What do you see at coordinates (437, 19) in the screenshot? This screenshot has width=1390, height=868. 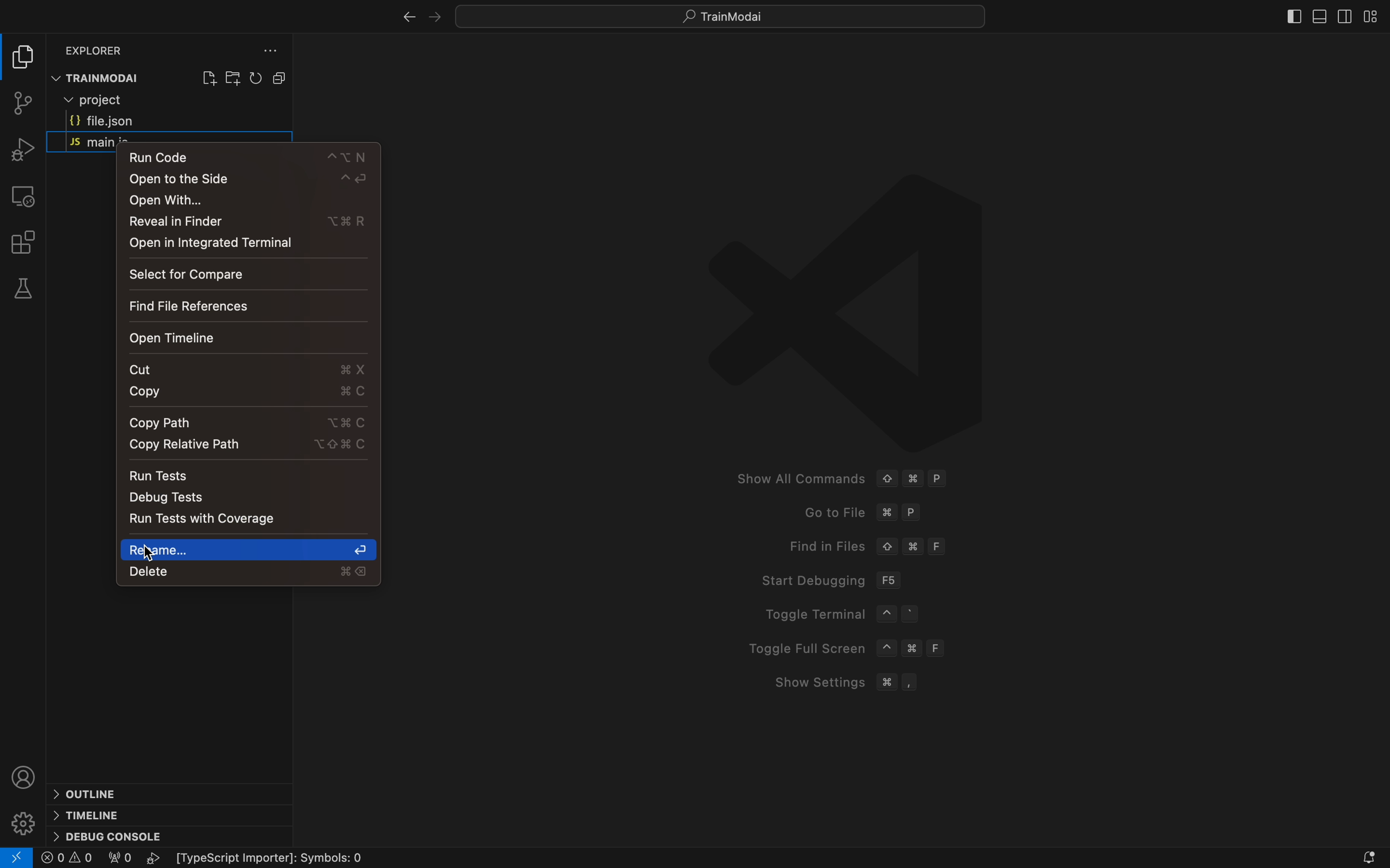 I see `left arrow` at bounding box center [437, 19].